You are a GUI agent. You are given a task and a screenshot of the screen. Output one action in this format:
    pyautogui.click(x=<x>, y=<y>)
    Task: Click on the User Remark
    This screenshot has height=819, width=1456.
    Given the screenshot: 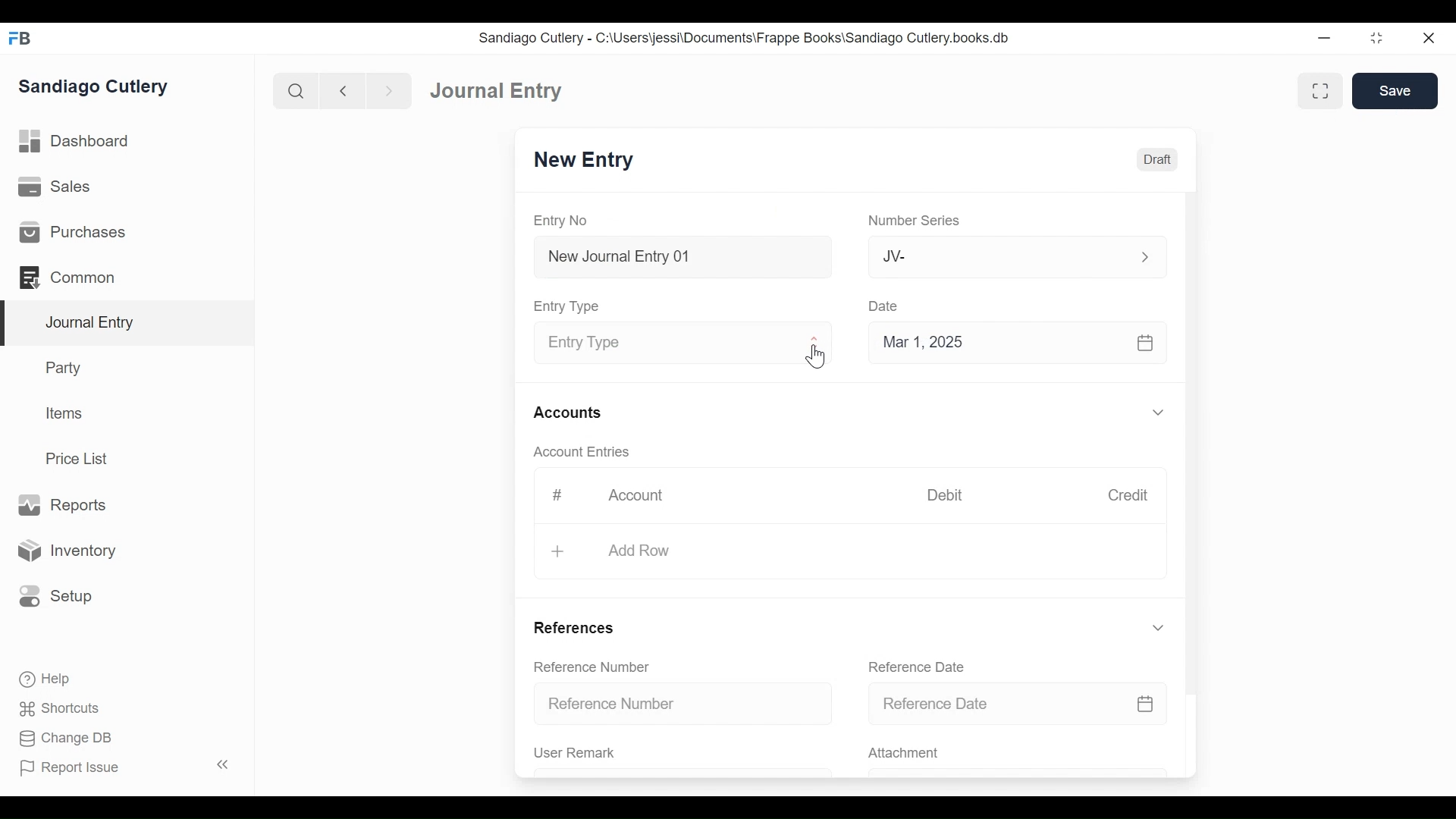 What is the action you would take?
    pyautogui.click(x=682, y=756)
    